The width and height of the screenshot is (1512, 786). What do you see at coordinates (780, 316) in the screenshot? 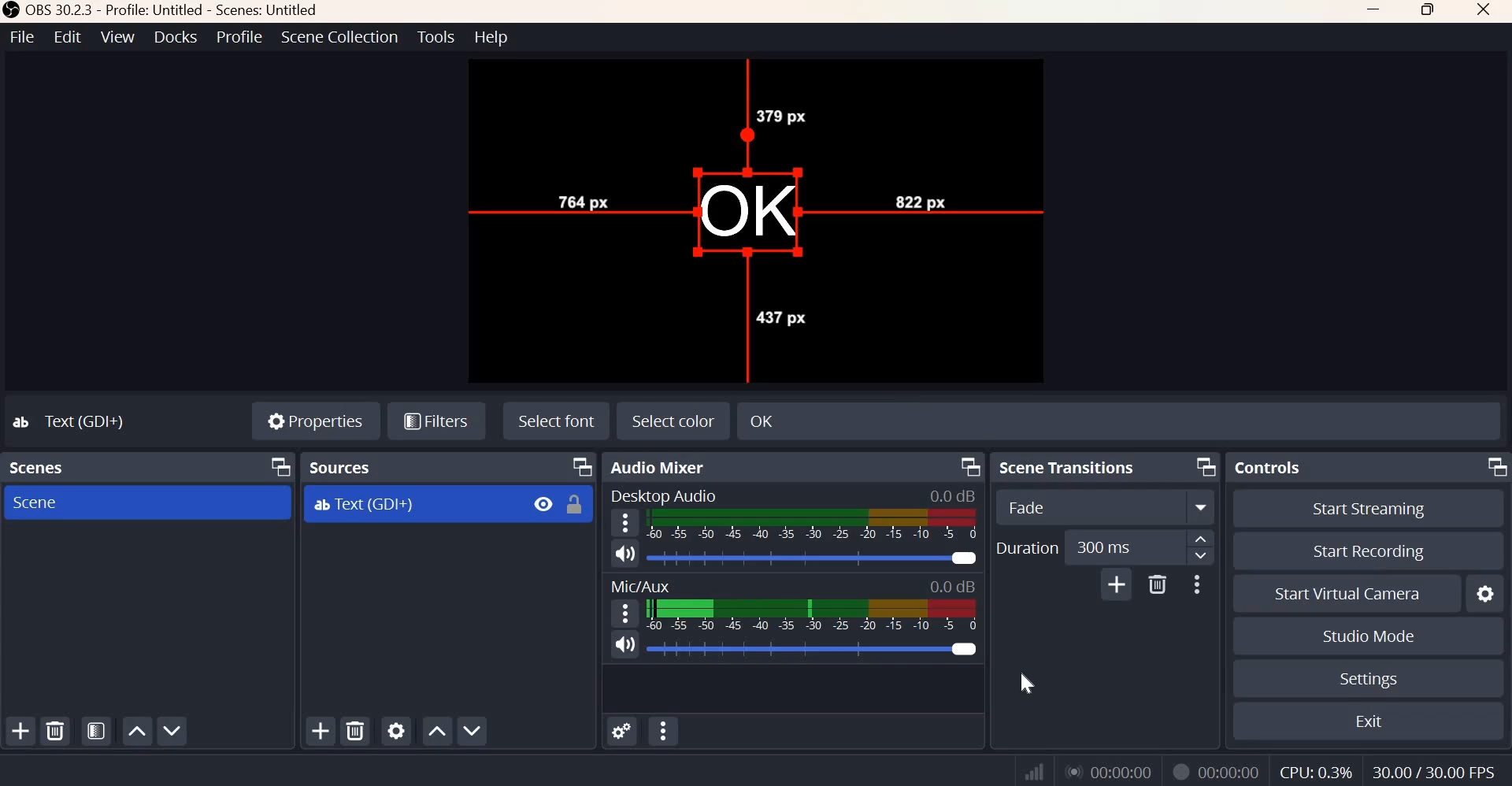
I see `440 px` at bounding box center [780, 316].